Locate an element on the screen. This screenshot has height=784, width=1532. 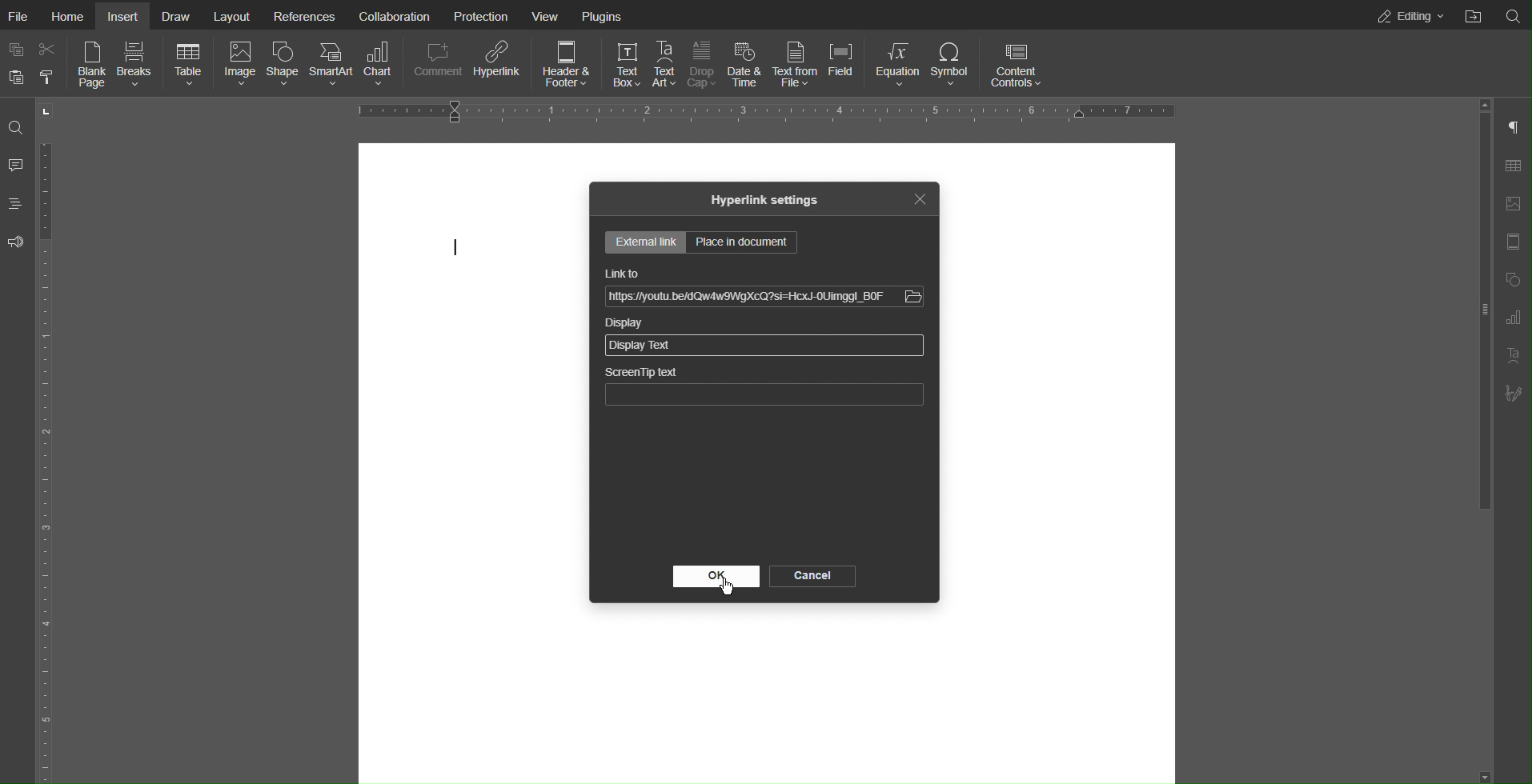
Breaks is located at coordinates (140, 66).